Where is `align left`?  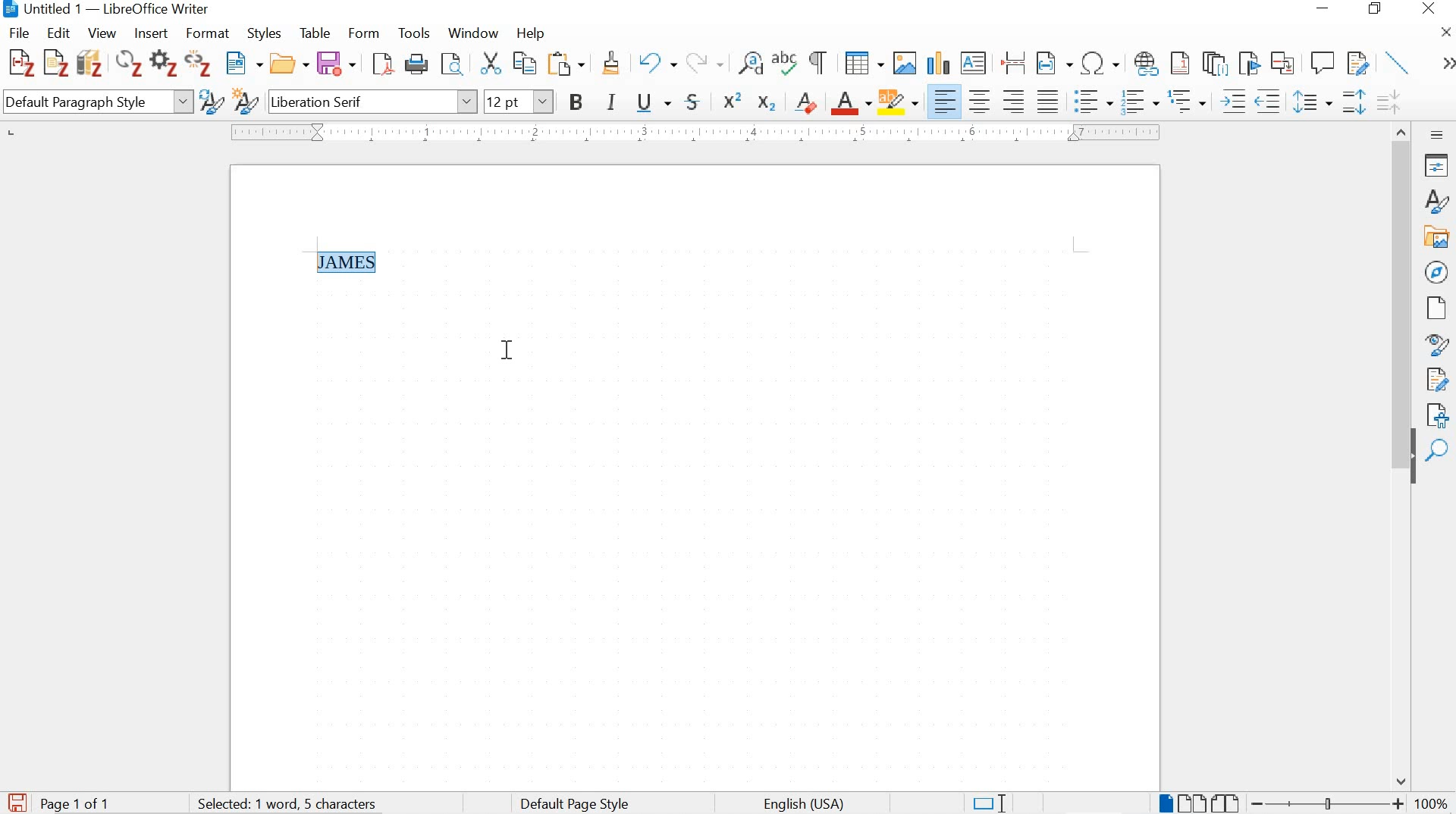 align left is located at coordinates (946, 102).